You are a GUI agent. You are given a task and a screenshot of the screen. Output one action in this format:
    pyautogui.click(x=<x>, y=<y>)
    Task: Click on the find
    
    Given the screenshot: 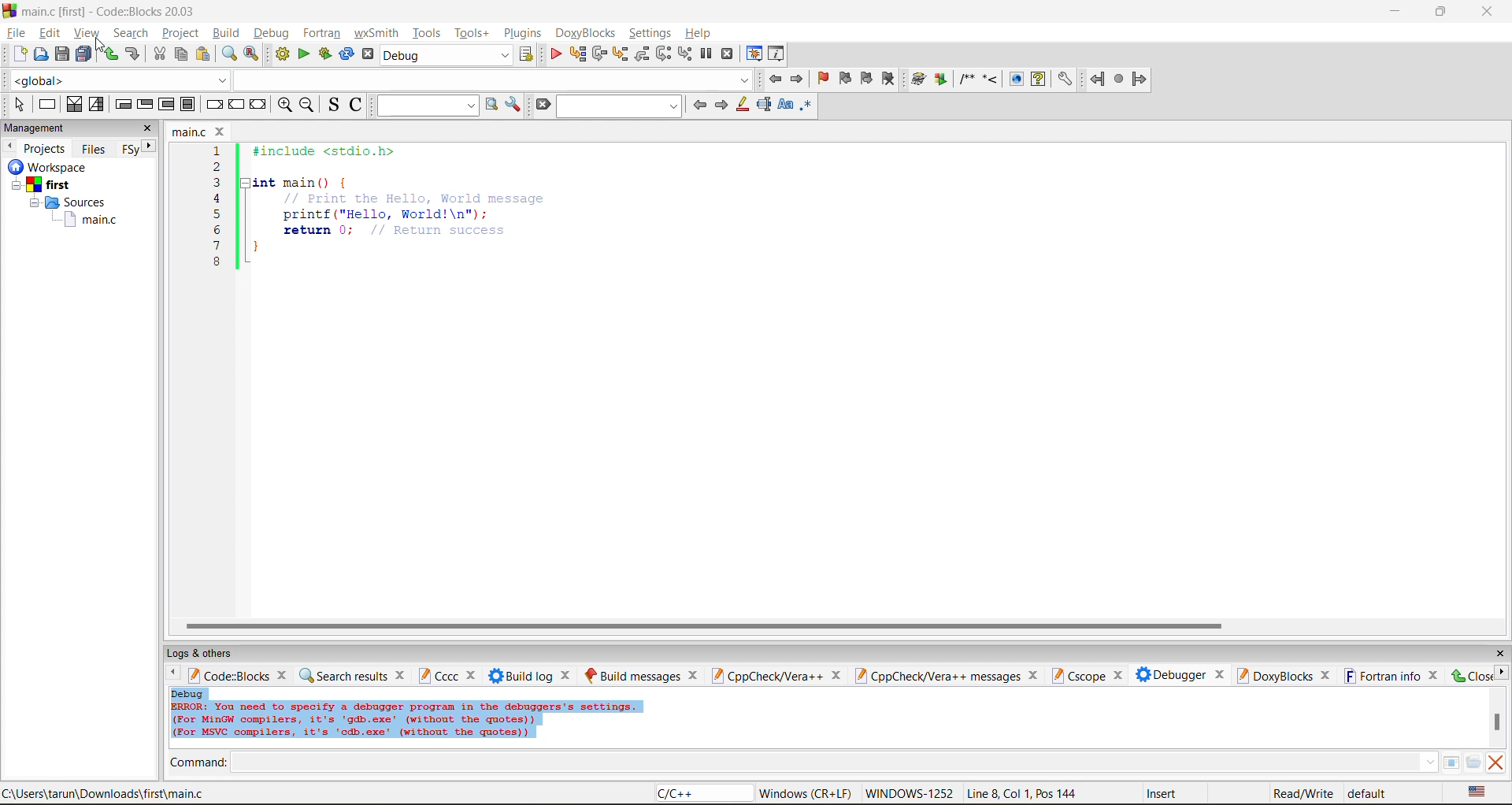 What is the action you would take?
    pyautogui.click(x=228, y=53)
    